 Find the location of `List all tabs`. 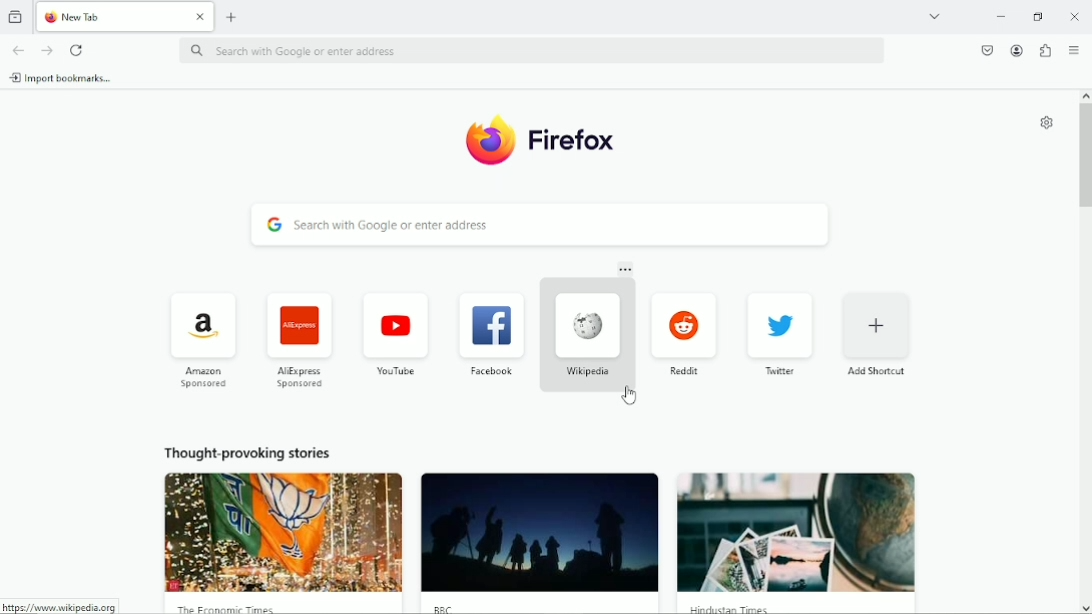

List all tabs is located at coordinates (935, 15).